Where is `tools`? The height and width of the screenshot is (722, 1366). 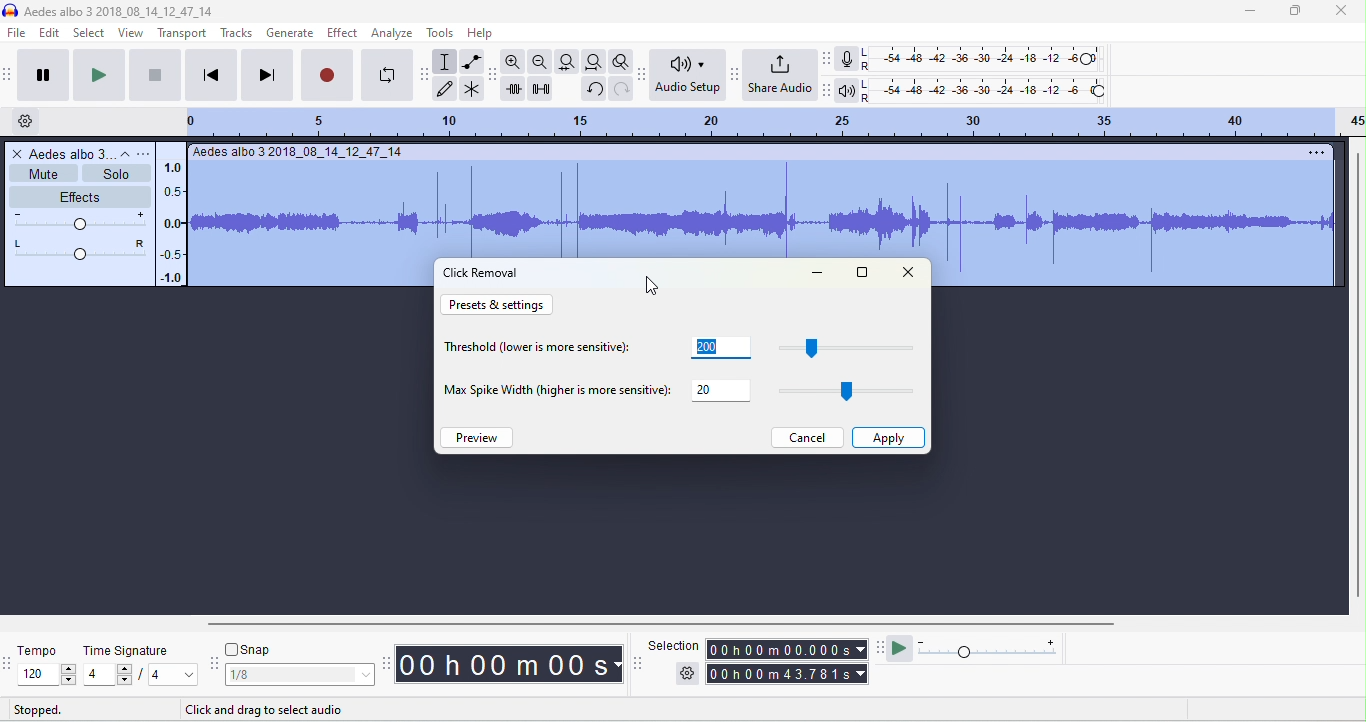 tools is located at coordinates (441, 33).